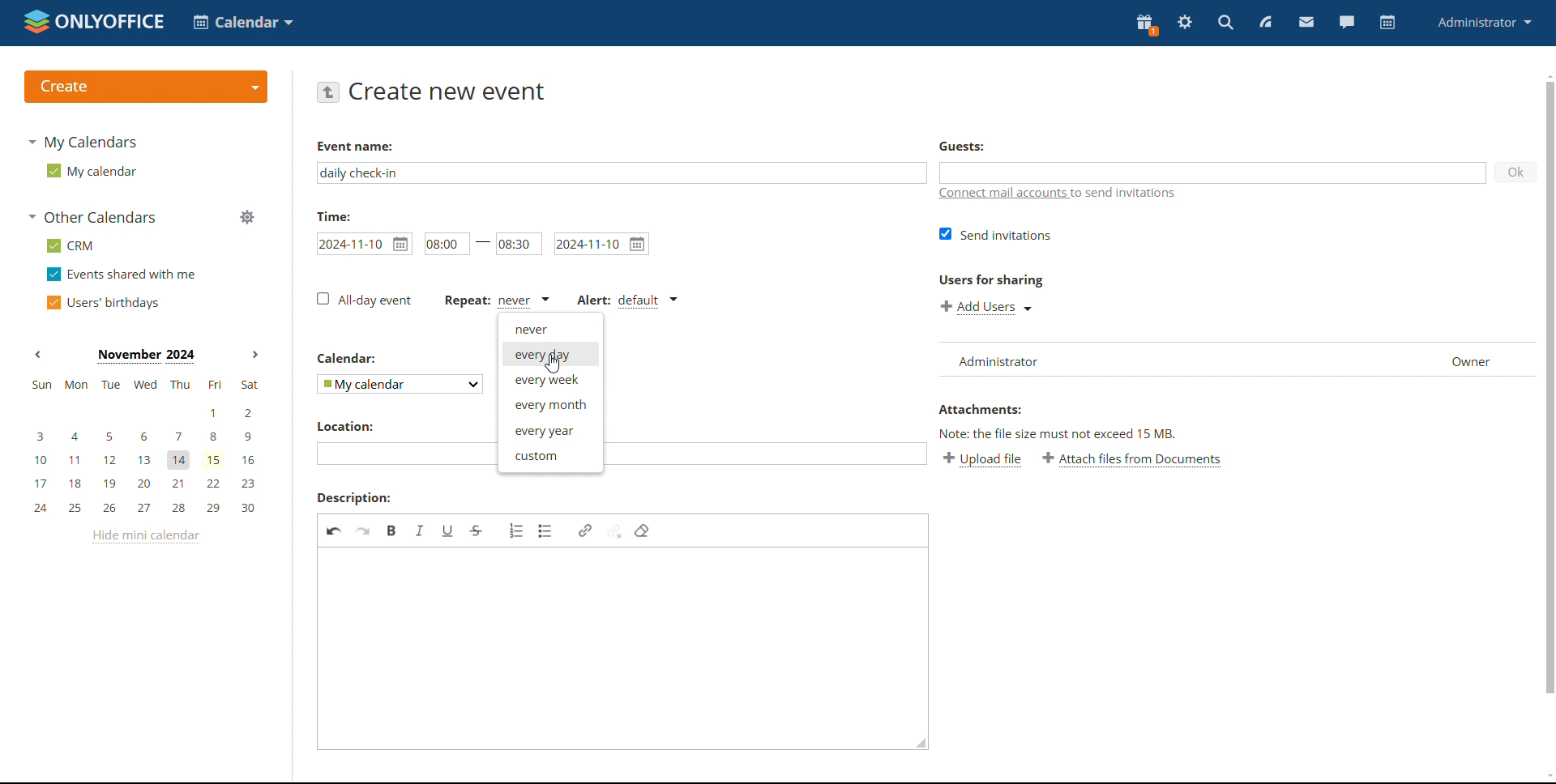  What do you see at coordinates (246, 217) in the screenshot?
I see `manage` at bounding box center [246, 217].